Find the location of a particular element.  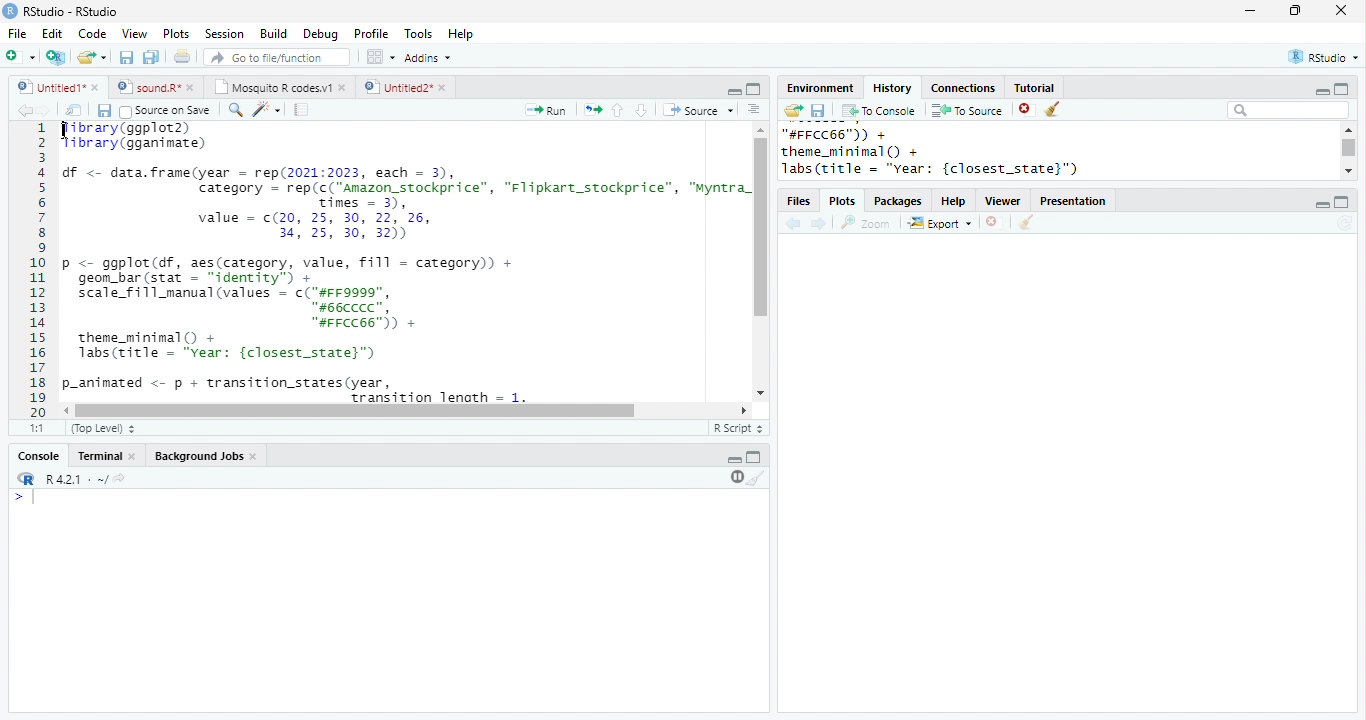

Help is located at coordinates (460, 33).